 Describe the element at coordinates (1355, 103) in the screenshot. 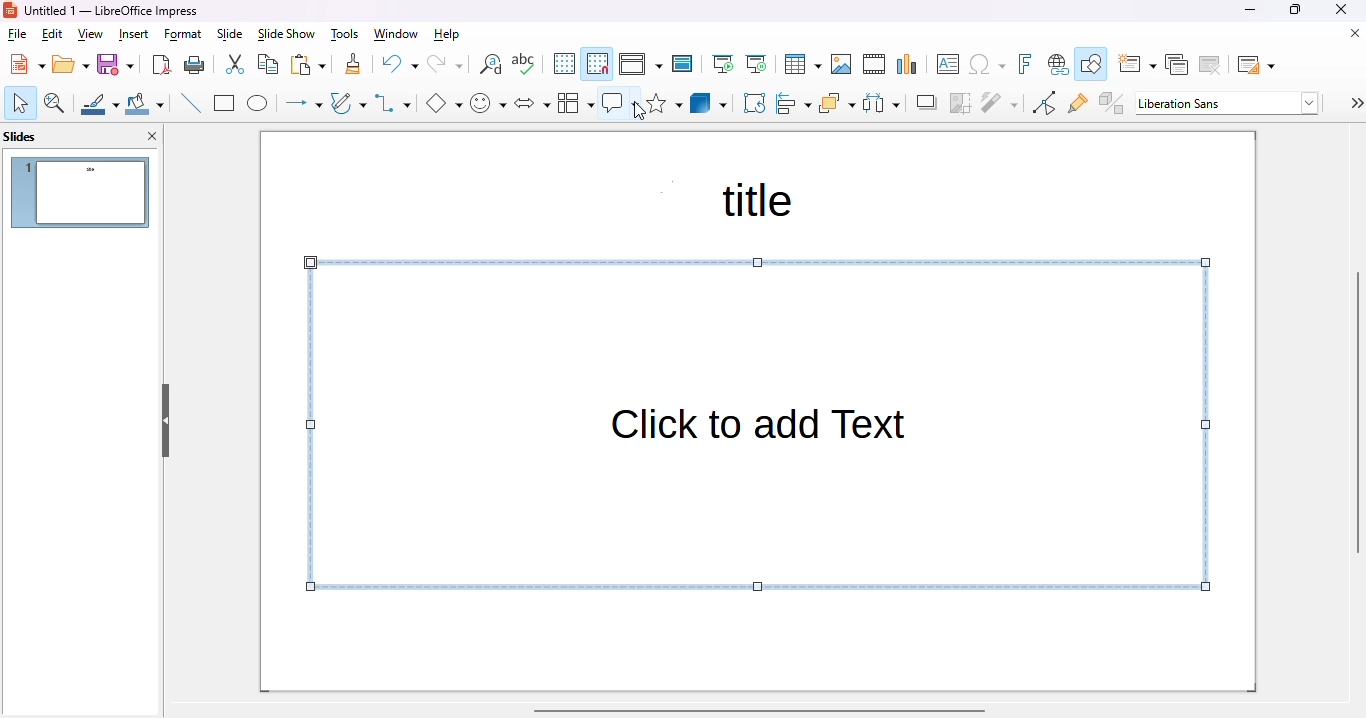

I see `settings` at that location.